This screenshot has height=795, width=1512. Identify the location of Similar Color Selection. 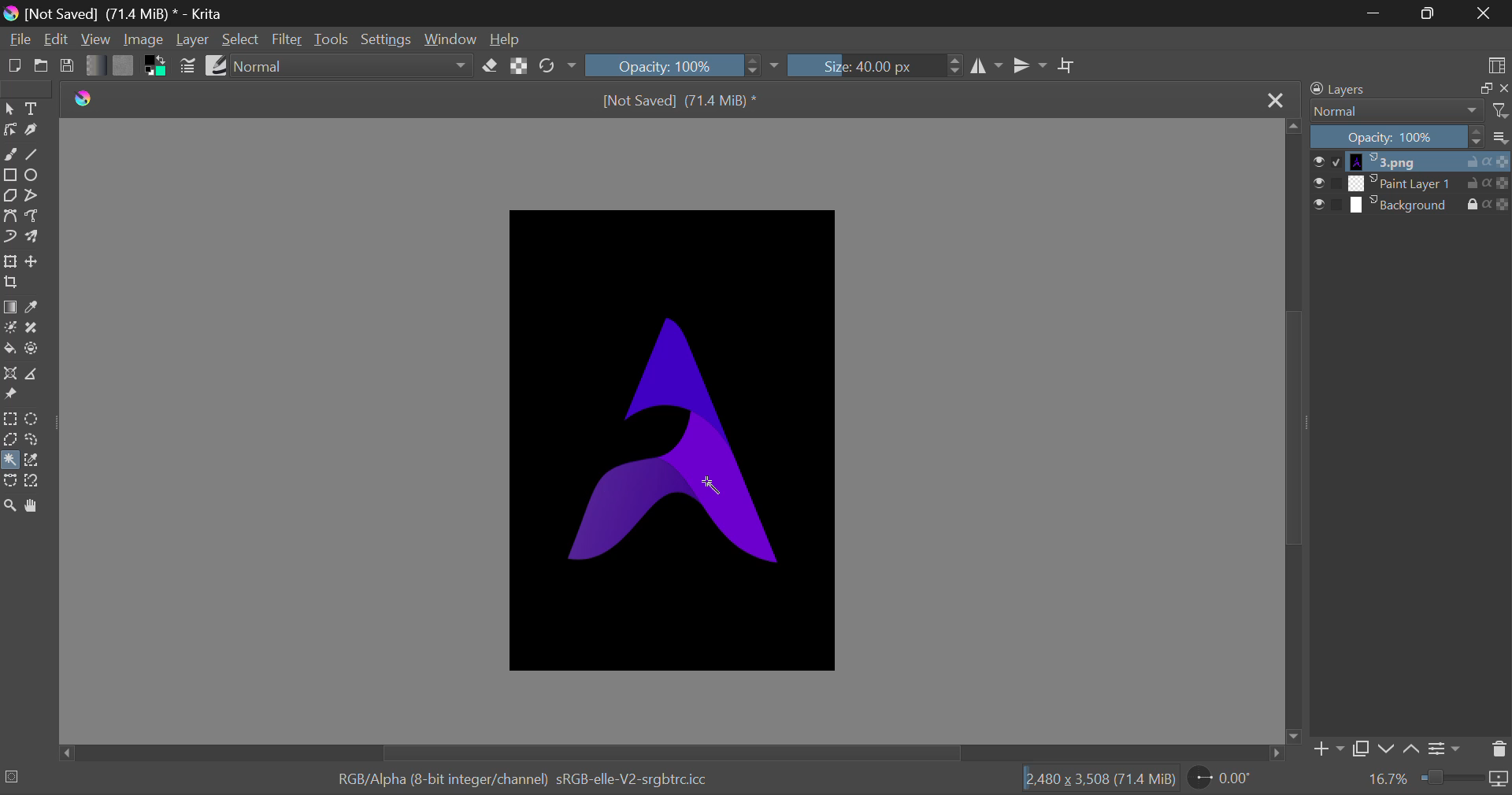
(32, 460).